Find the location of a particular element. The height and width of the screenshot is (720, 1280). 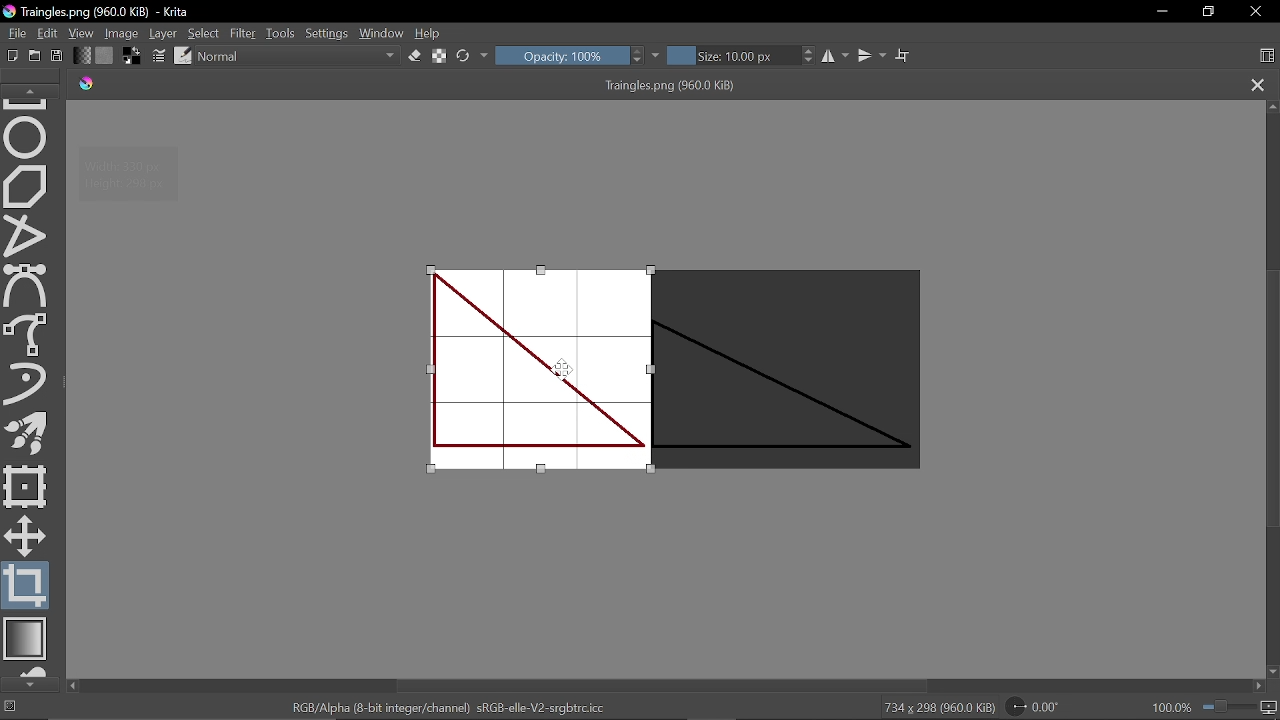

Close is located at coordinates (1258, 13).